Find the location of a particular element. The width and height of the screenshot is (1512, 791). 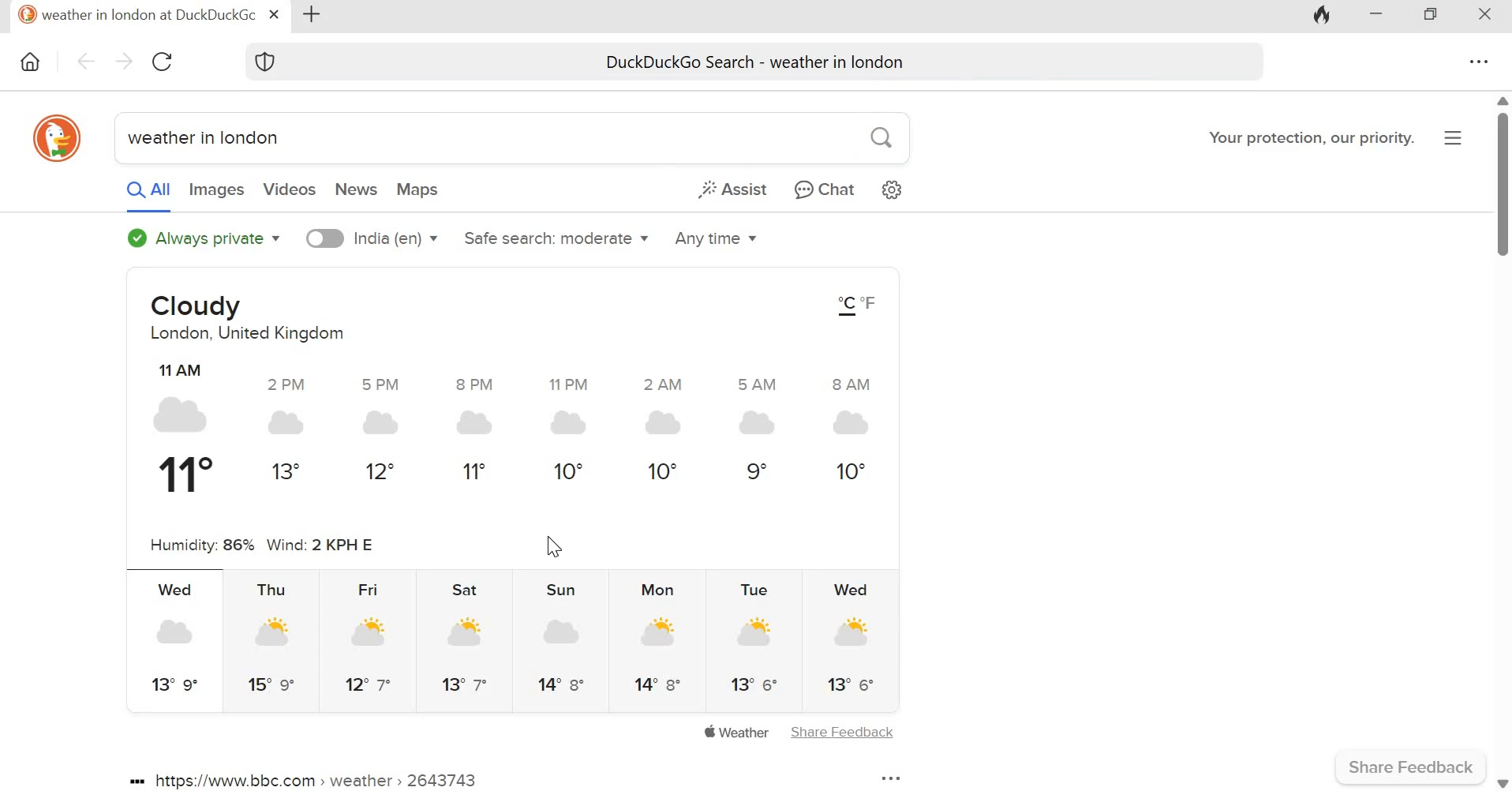

Indicates cloudy is located at coordinates (286, 422).